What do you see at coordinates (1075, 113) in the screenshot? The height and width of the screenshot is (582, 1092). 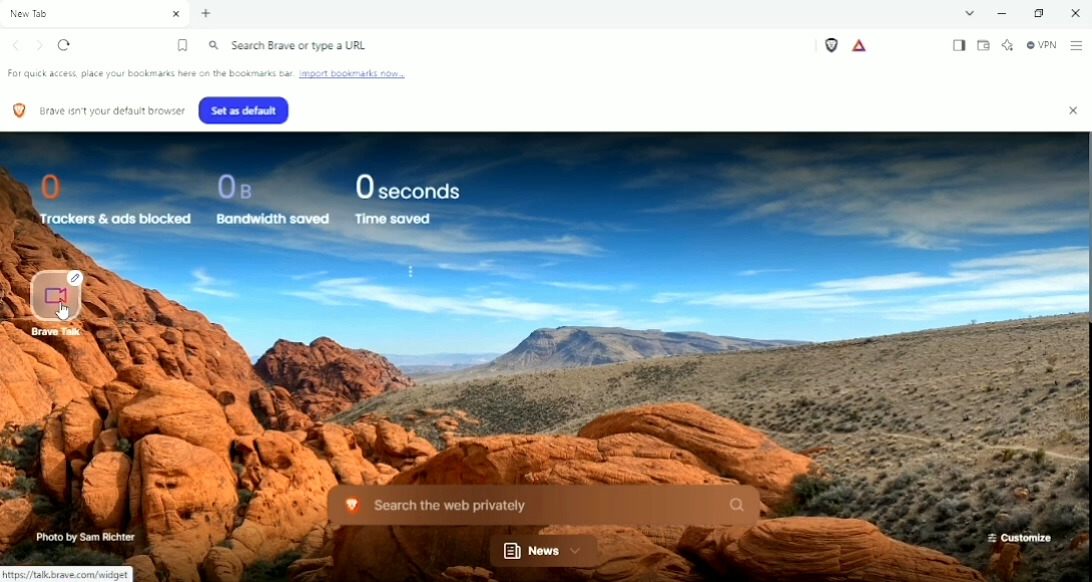 I see `Close` at bounding box center [1075, 113].